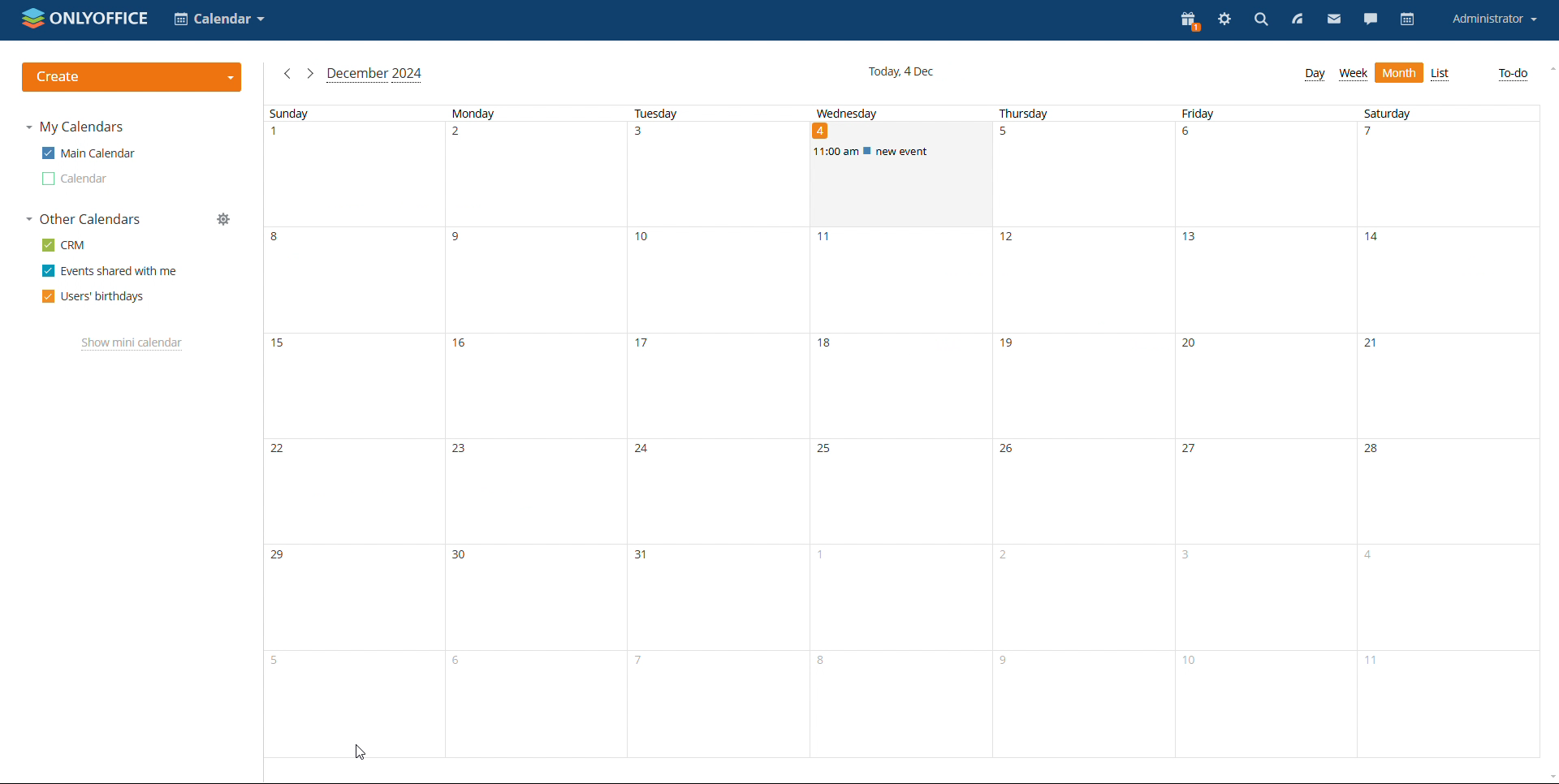 The height and width of the screenshot is (784, 1559). Describe the element at coordinates (1406, 20) in the screenshot. I see `calendar` at that location.